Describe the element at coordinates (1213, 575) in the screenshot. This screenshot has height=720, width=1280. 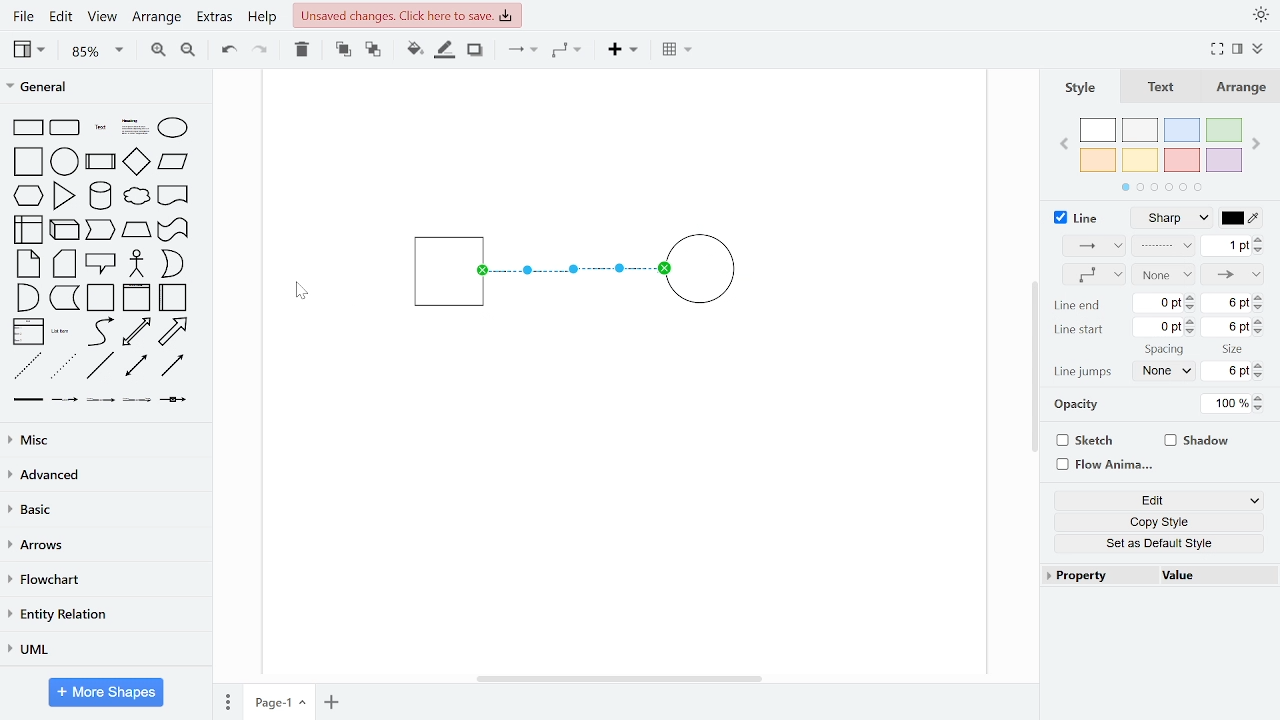
I see `value` at that location.